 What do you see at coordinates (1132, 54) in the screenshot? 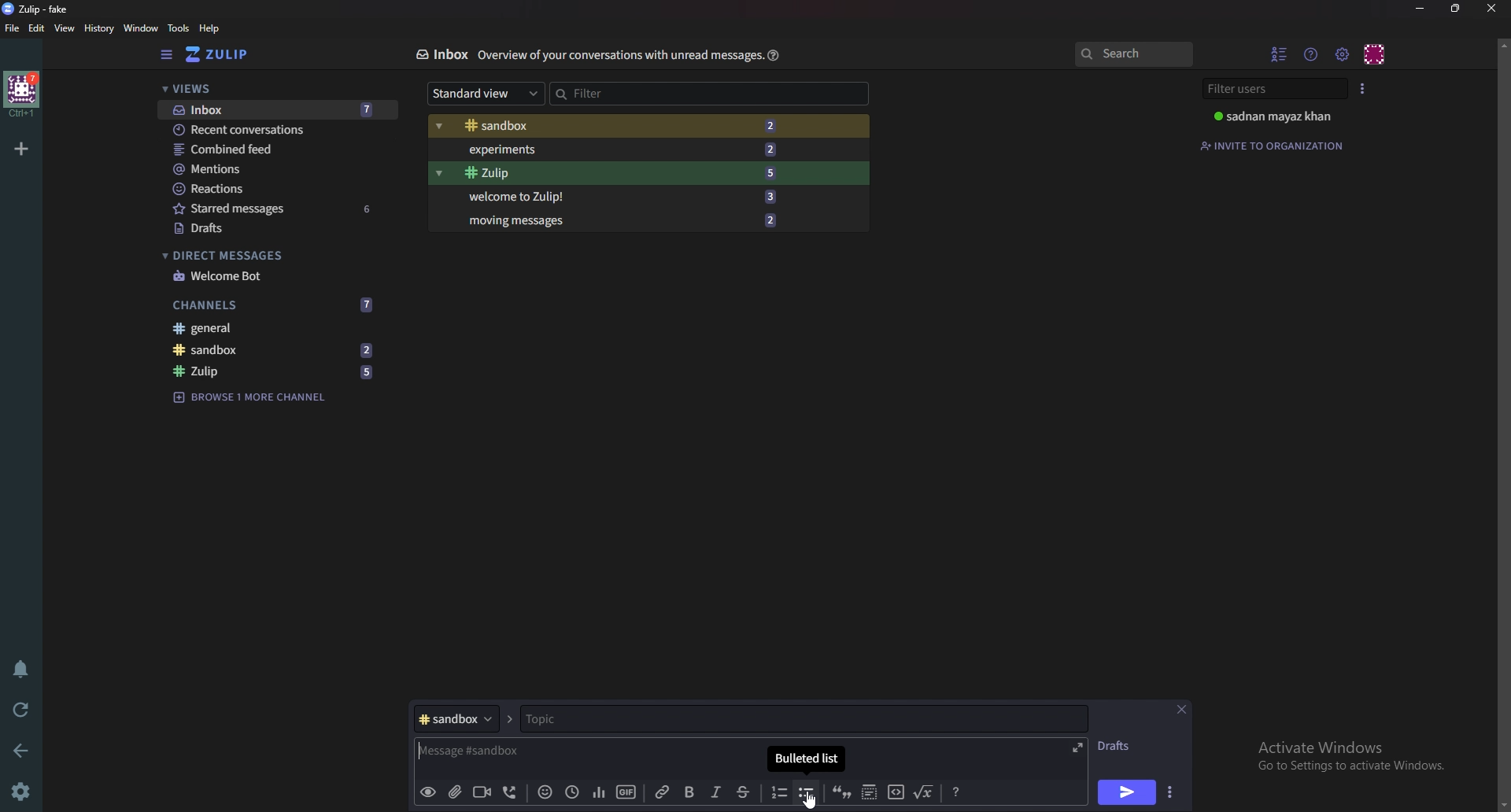
I see `search` at bounding box center [1132, 54].